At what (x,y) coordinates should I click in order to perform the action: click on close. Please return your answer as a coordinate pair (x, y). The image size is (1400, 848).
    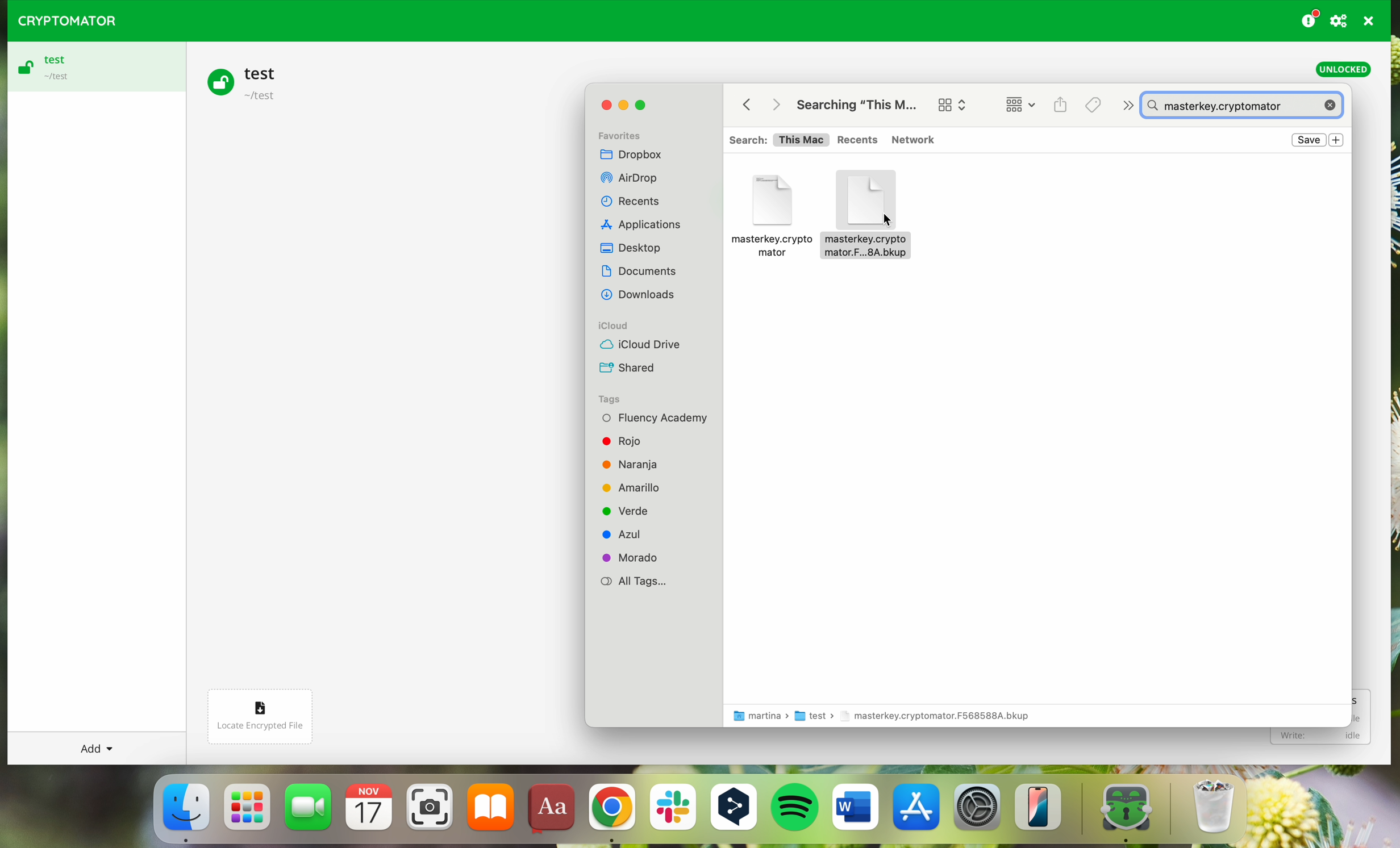
    Looking at the image, I should click on (602, 107).